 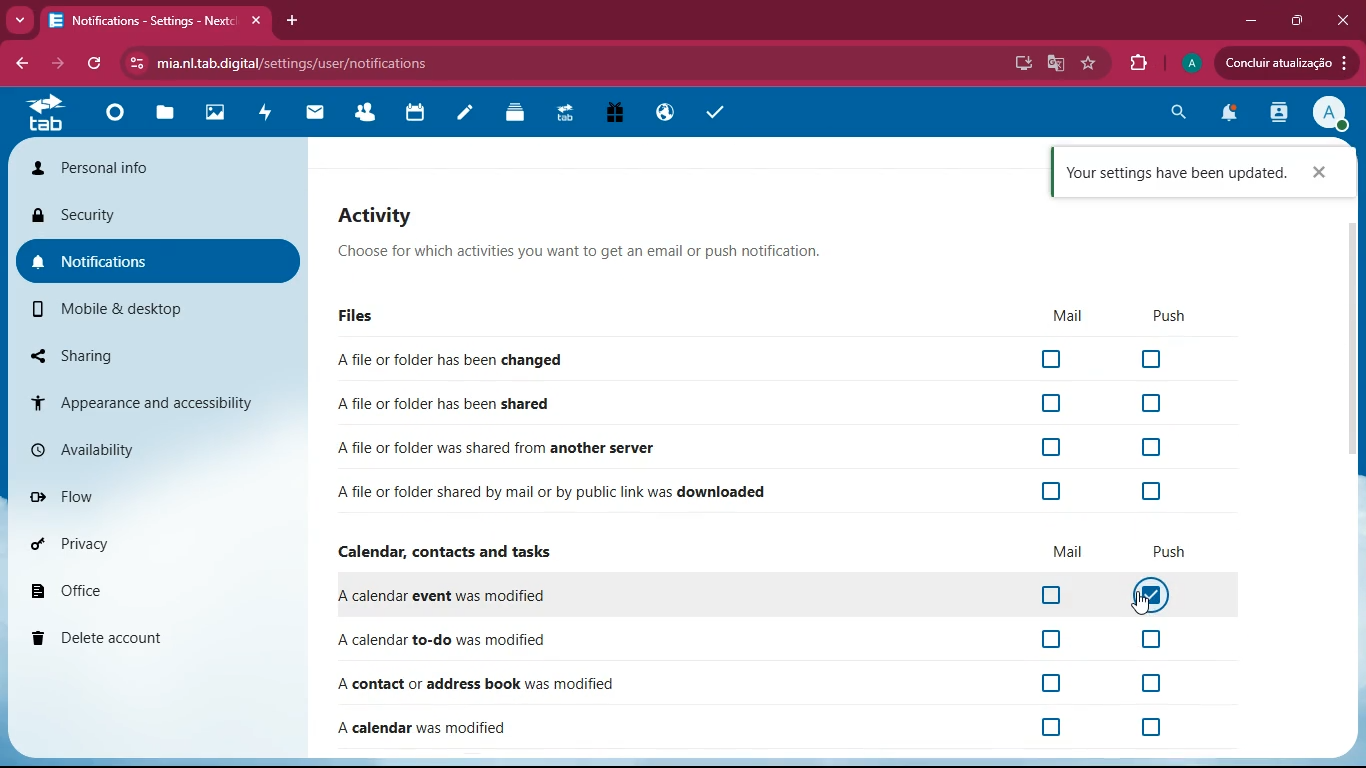 I want to click on tab, so click(x=569, y=114).